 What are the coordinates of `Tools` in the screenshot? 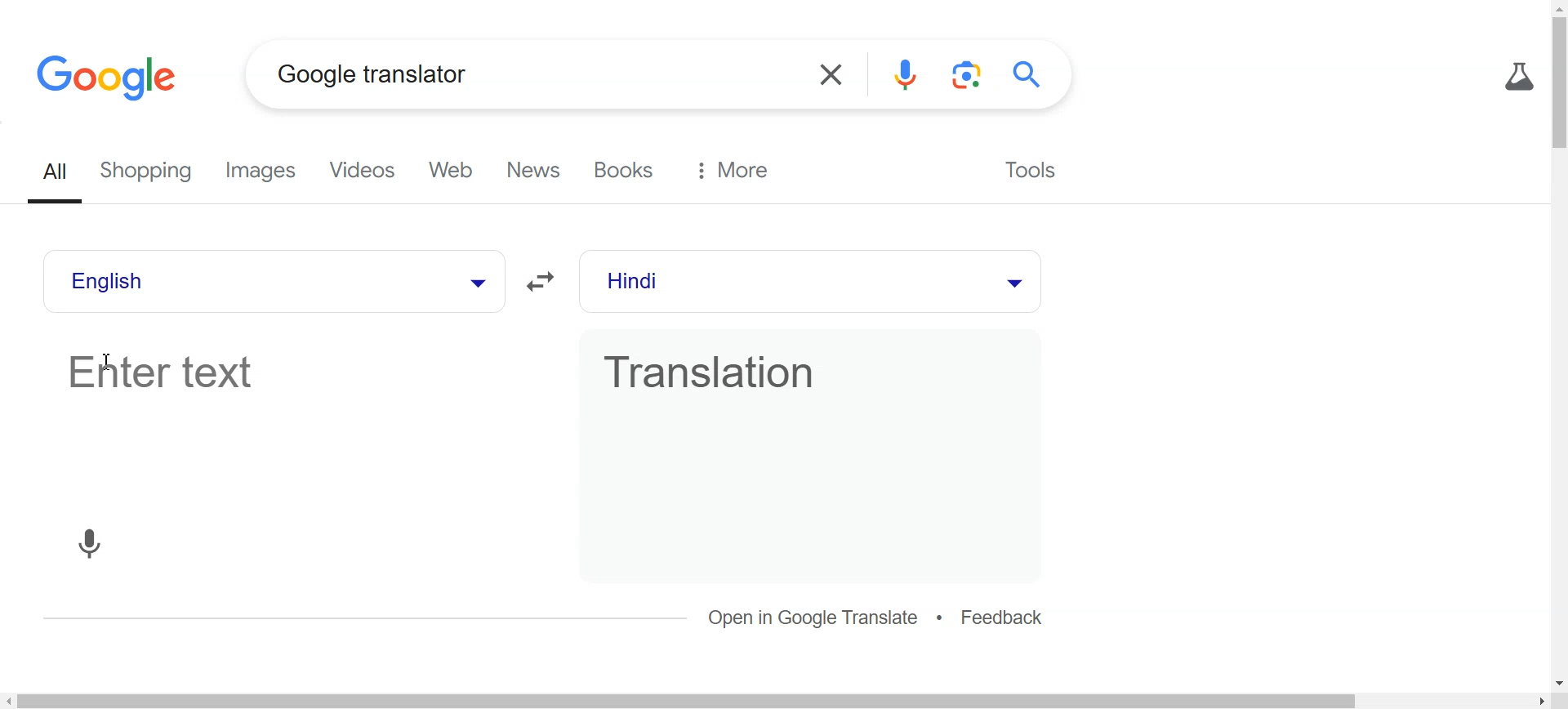 It's located at (1027, 167).